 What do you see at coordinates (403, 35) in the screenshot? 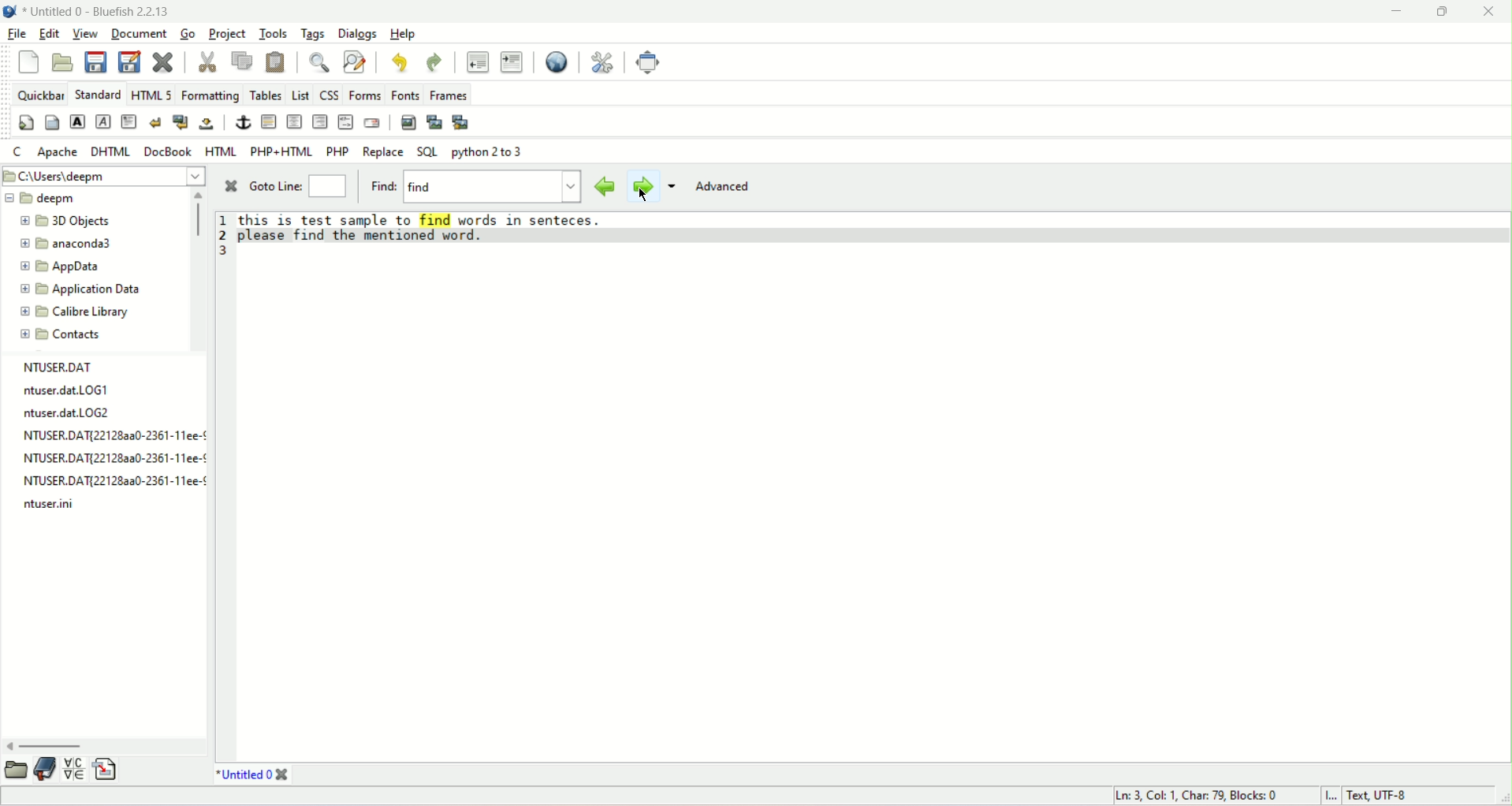
I see `help` at bounding box center [403, 35].